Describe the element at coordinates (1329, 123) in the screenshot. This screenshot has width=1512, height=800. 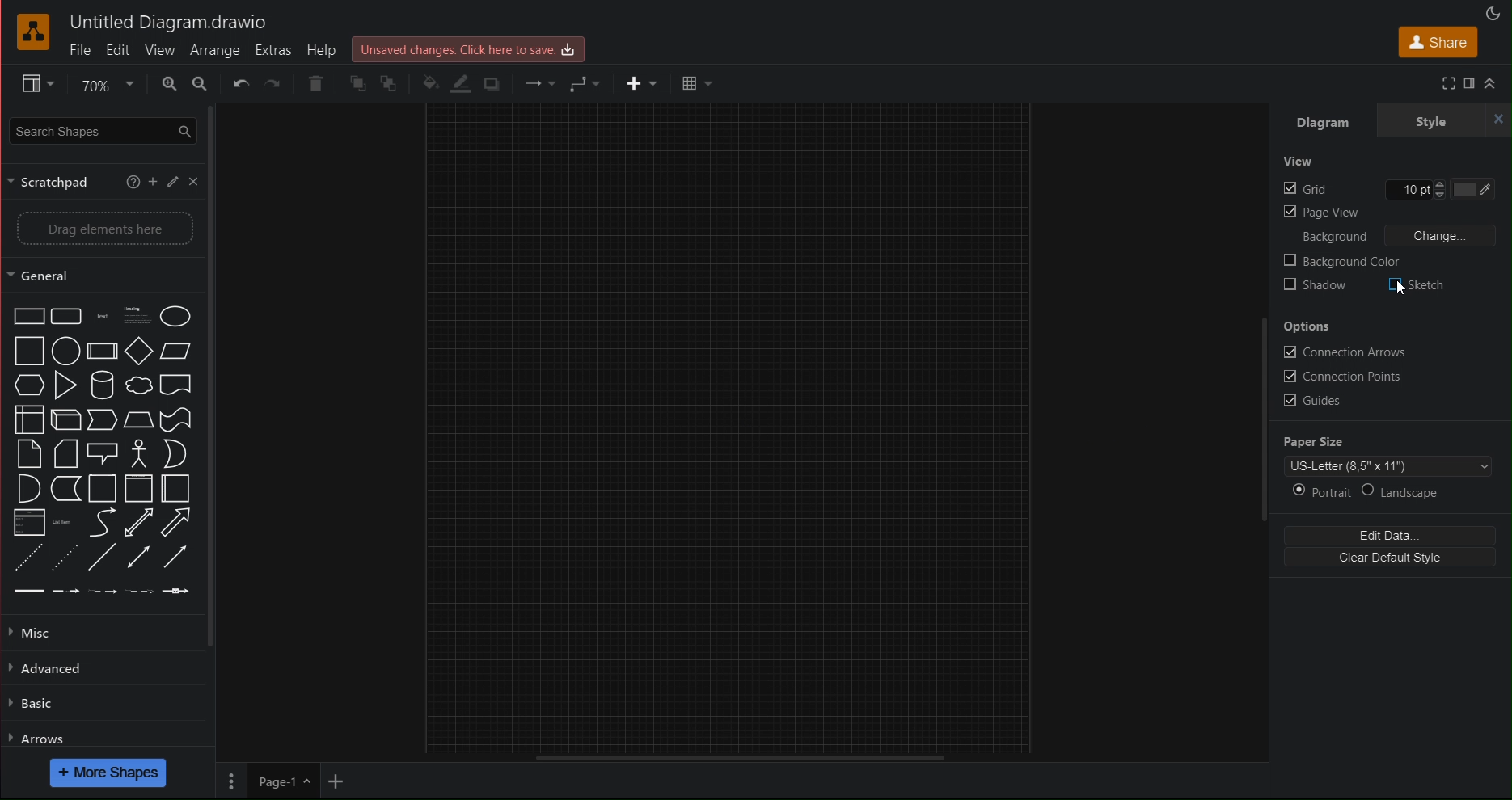
I see `Diagram` at that location.